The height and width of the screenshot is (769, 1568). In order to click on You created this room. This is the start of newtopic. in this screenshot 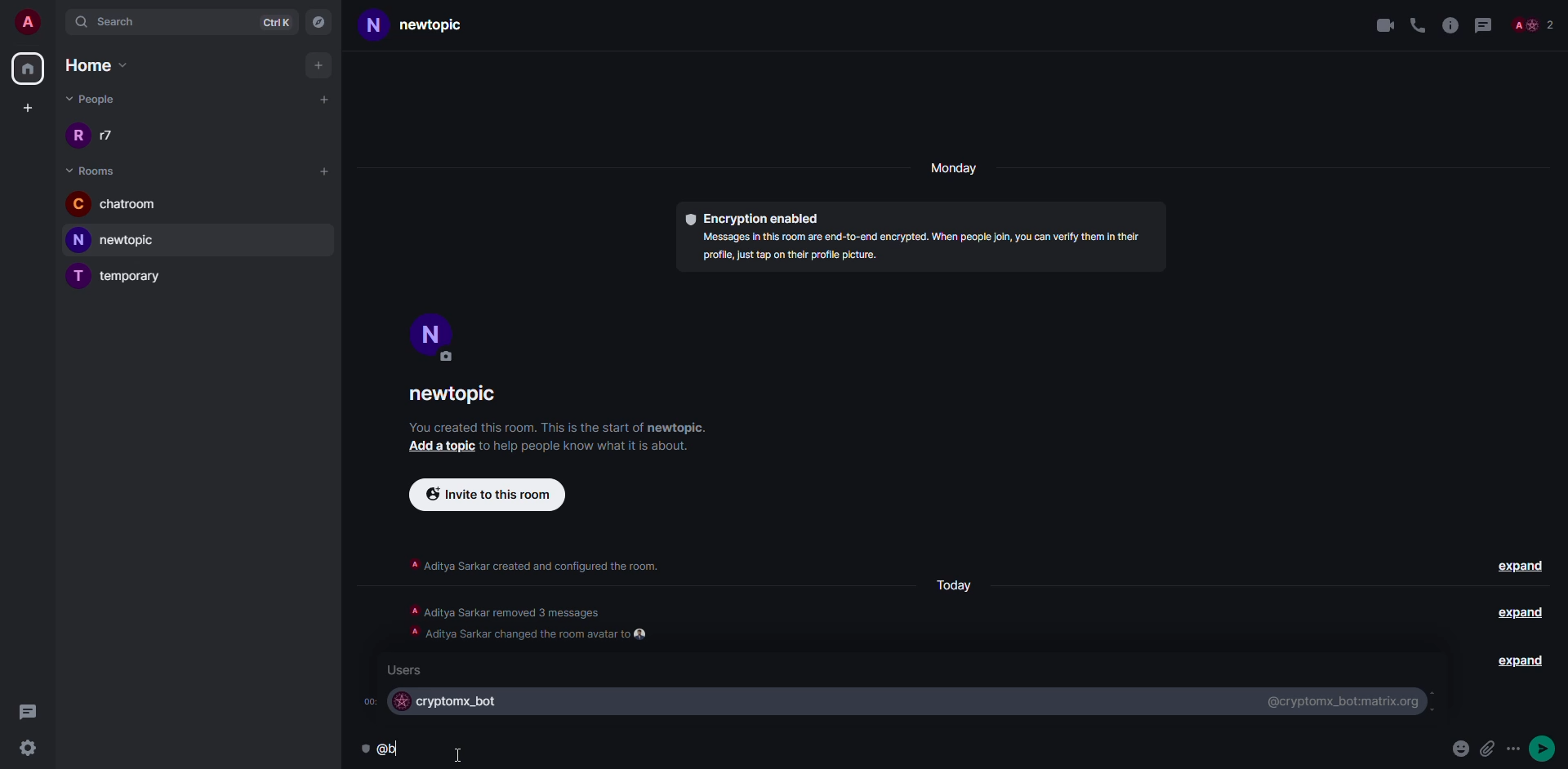, I will do `click(561, 426)`.